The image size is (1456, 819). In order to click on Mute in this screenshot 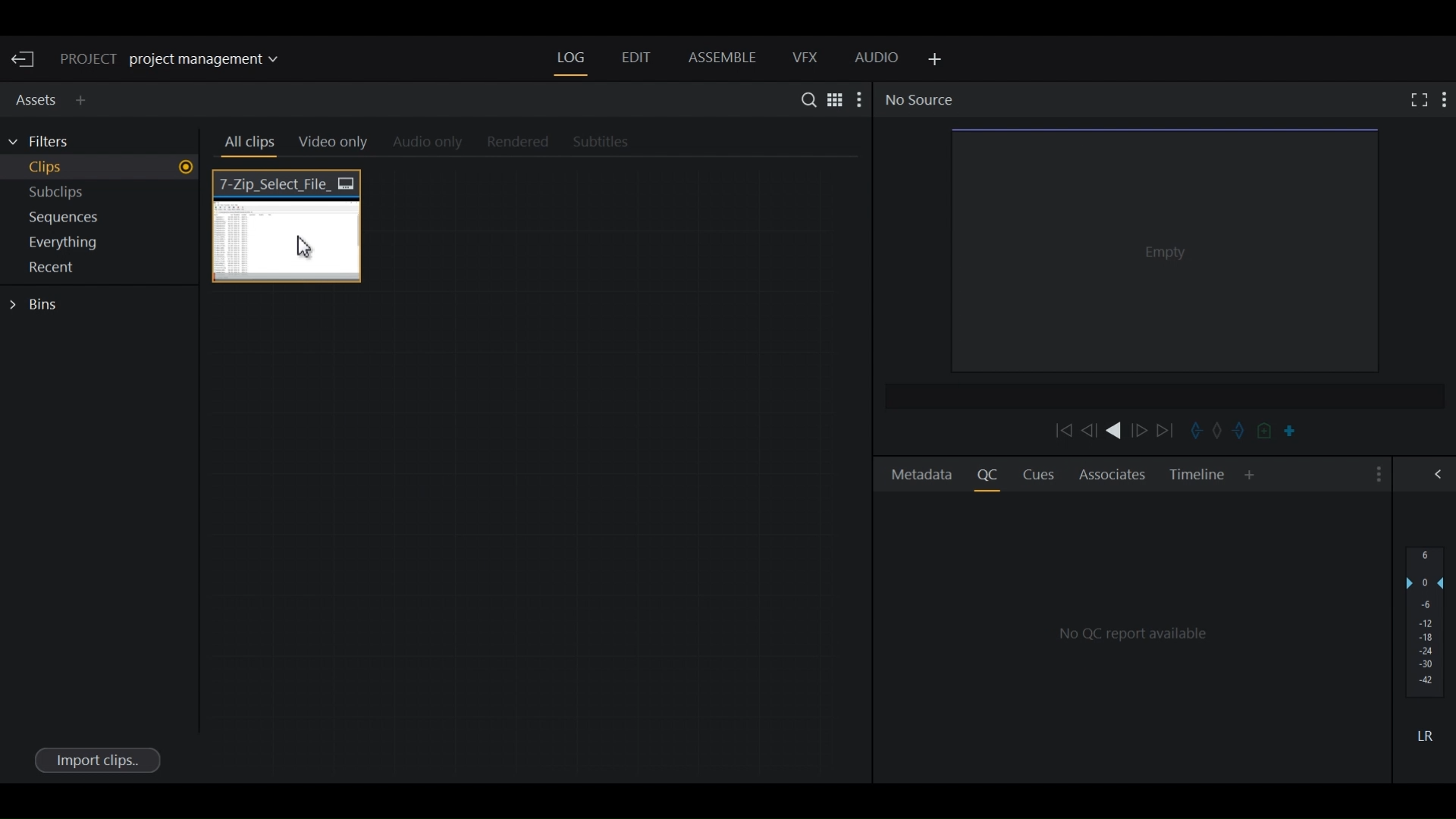, I will do `click(1425, 735)`.